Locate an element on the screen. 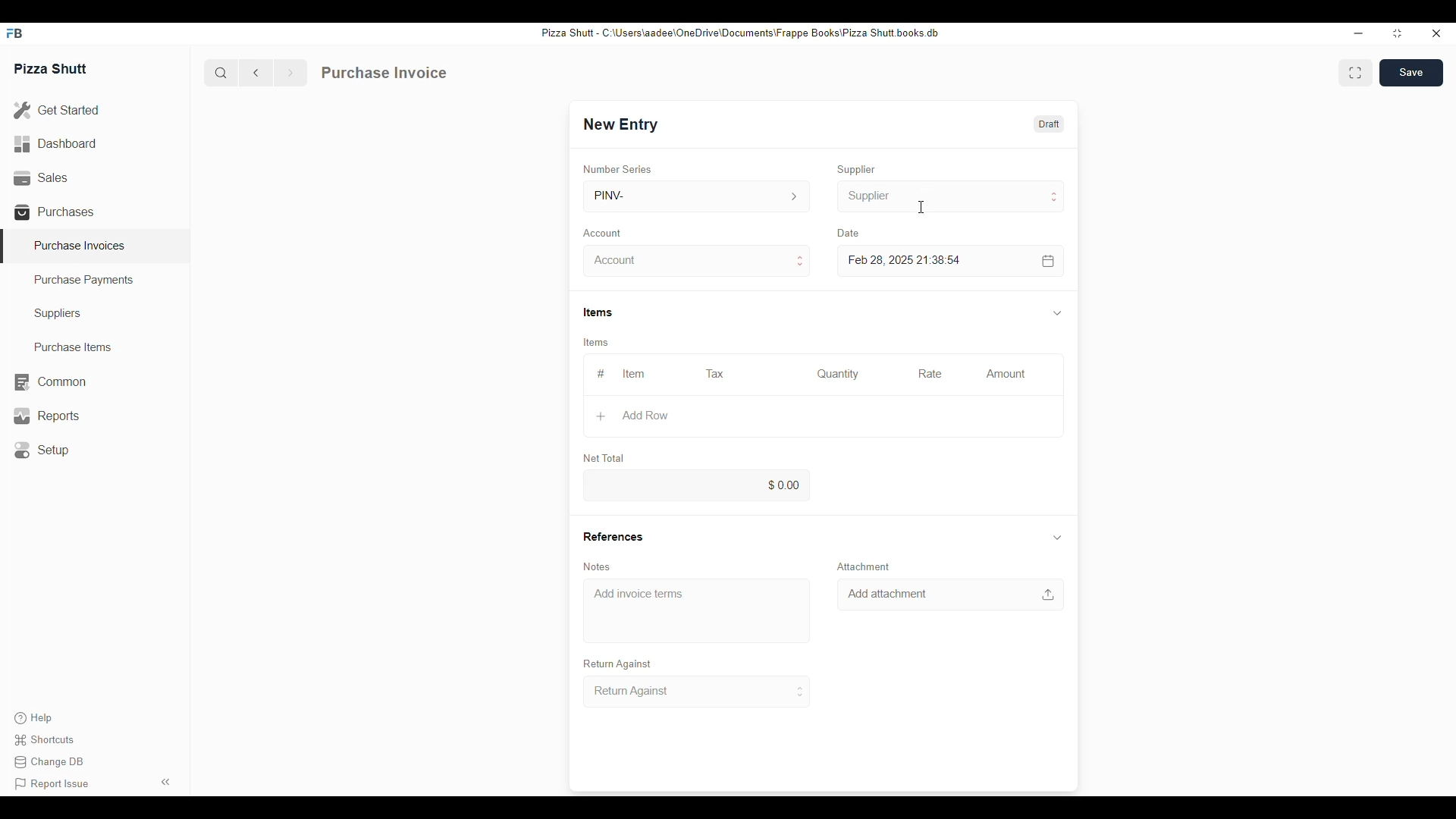  down is located at coordinates (1056, 538).